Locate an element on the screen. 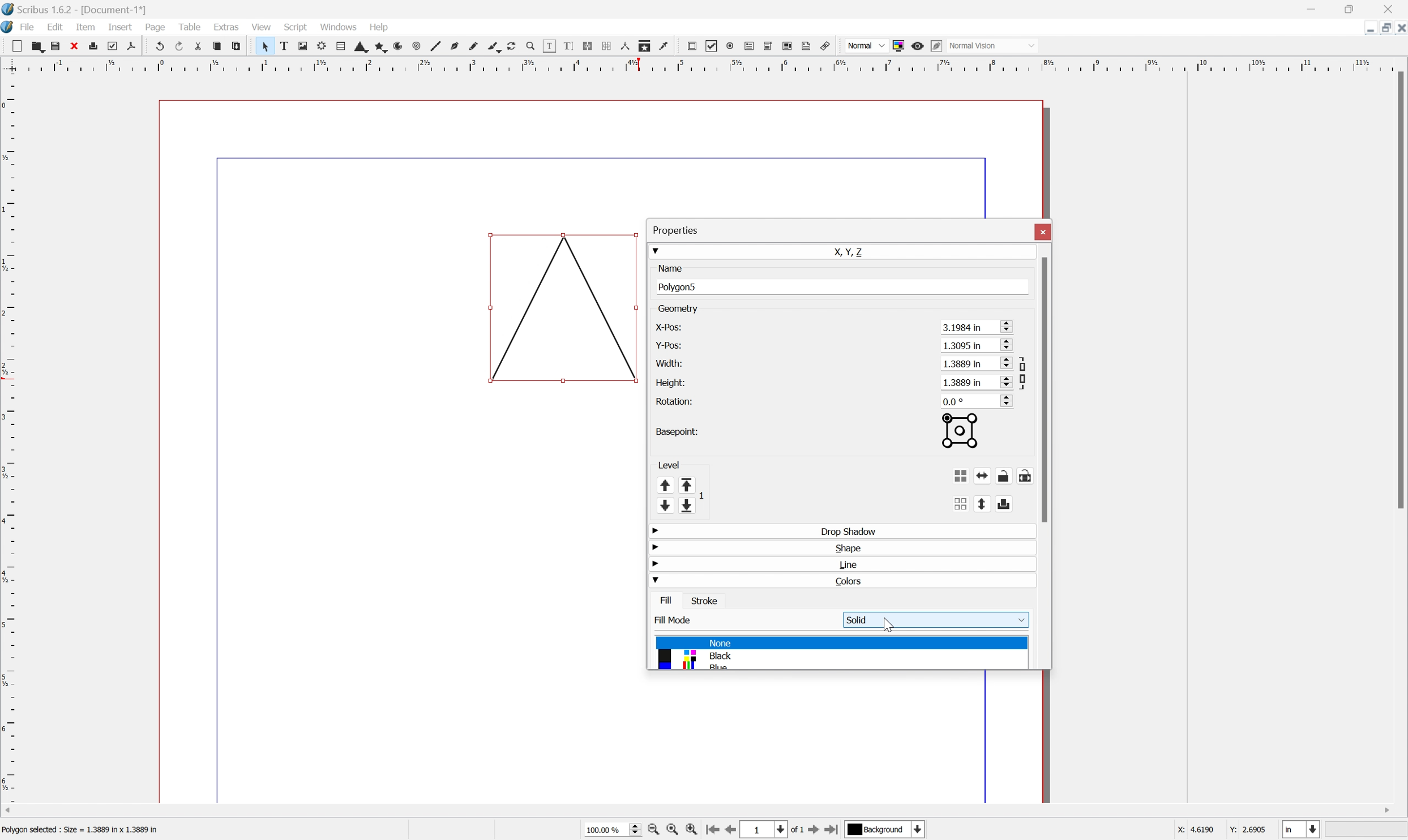 Image resolution: width=1408 pixels, height=840 pixels. Spiral is located at coordinates (414, 46).